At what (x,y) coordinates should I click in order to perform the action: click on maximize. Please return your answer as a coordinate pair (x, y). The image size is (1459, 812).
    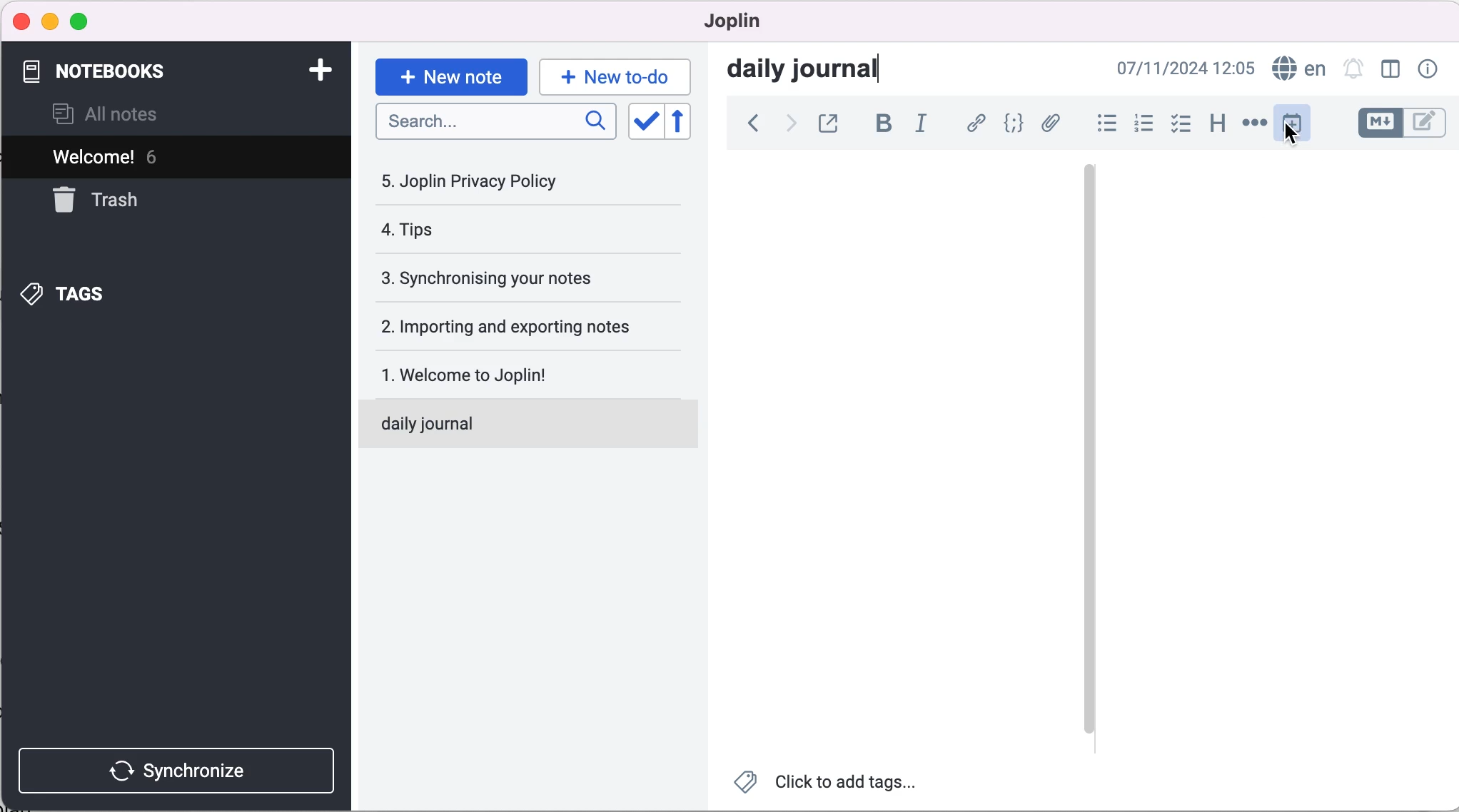
    Looking at the image, I should click on (83, 21).